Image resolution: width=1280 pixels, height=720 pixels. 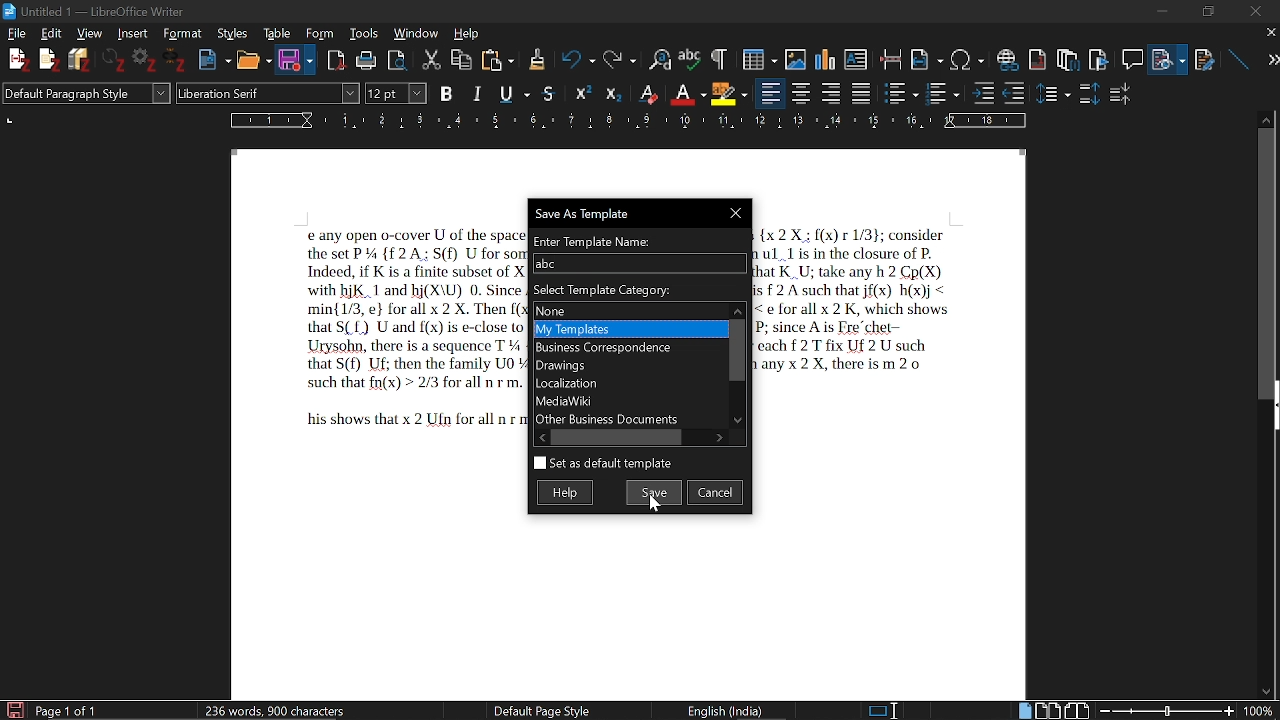 I want to click on Find and replace , so click(x=657, y=58).